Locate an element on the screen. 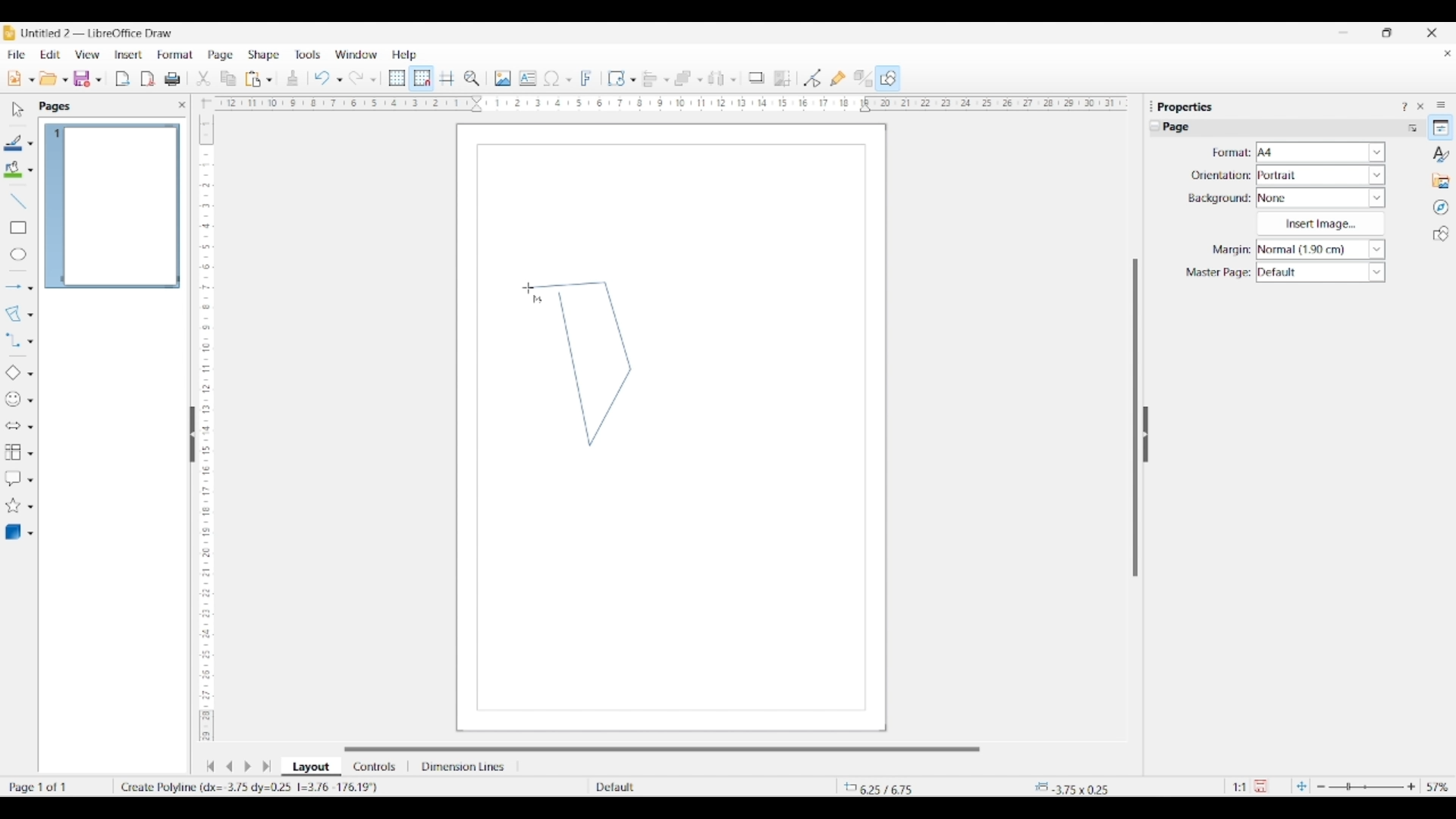 The width and height of the screenshot is (1456, 819). Indicates margin settings is located at coordinates (1229, 250).